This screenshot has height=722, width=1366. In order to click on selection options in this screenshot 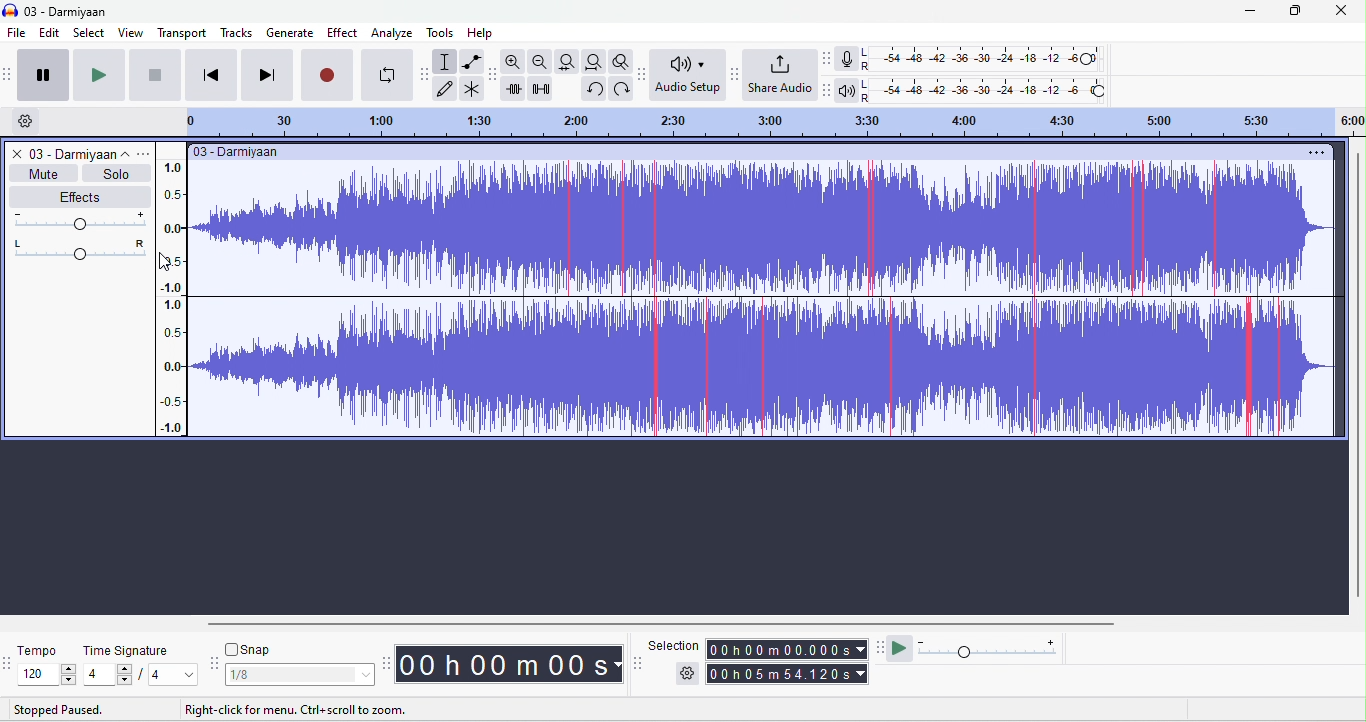, I will do `click(687, 674)`.